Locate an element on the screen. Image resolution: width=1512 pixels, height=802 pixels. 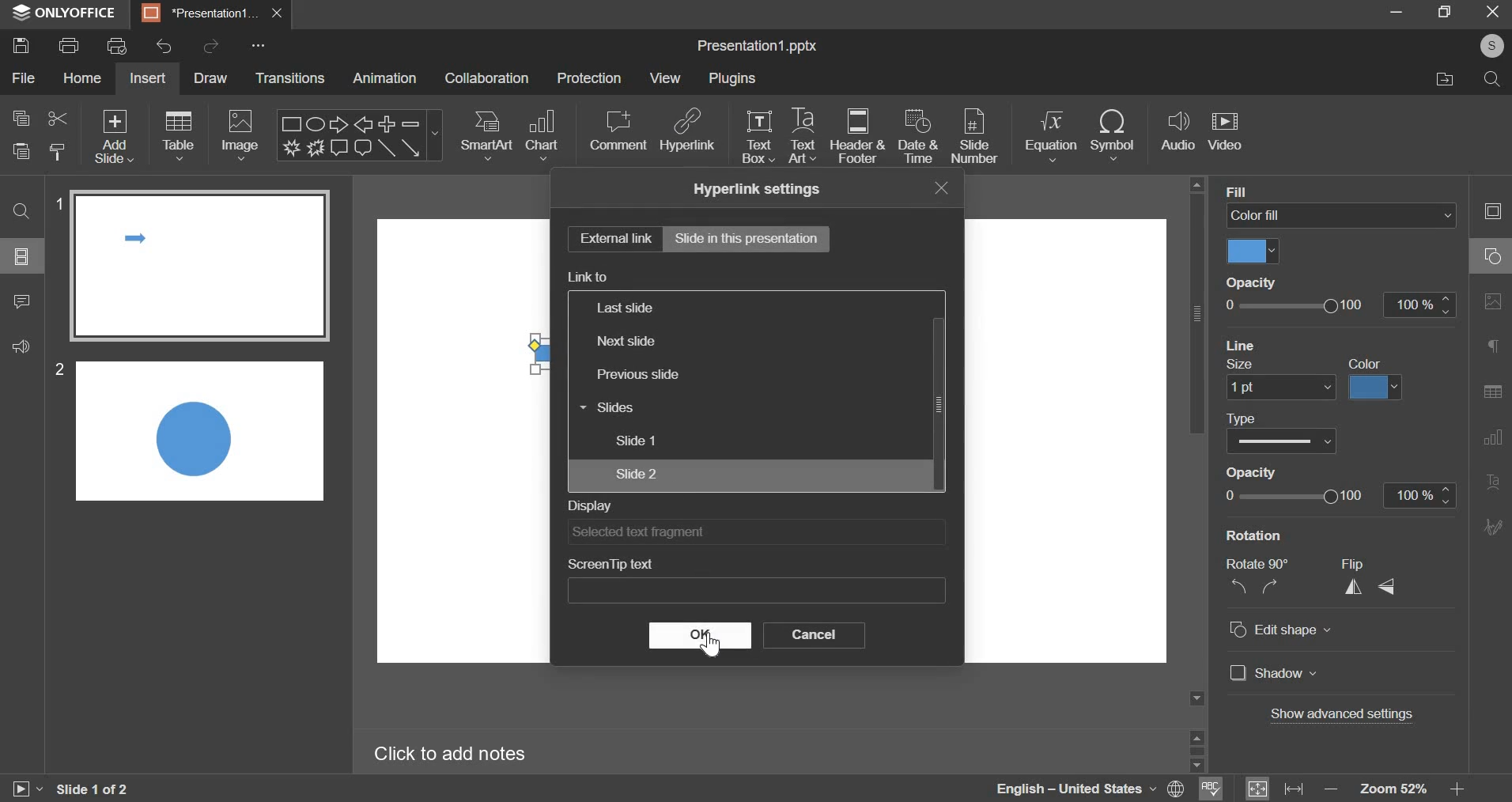
Click to add notes is located at coordinates (452, 752).